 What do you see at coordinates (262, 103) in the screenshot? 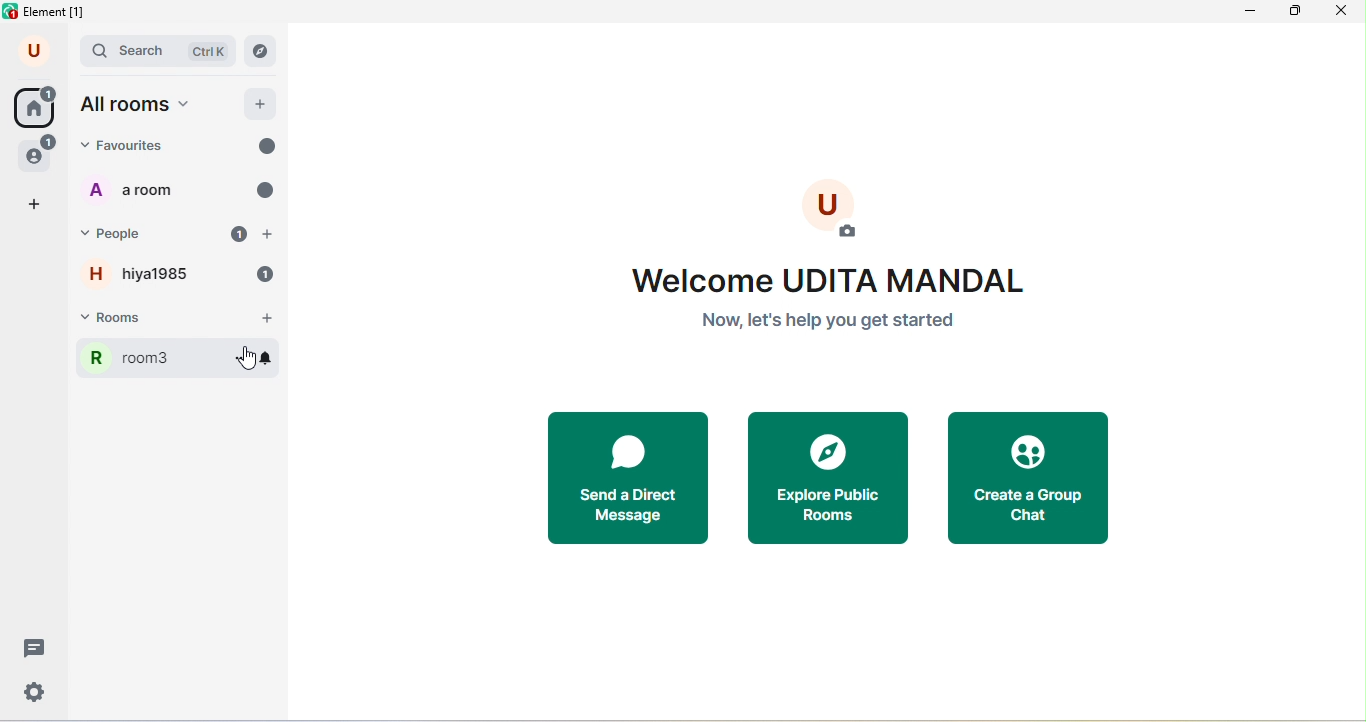
I see `add` at bounding box center [262, 103].